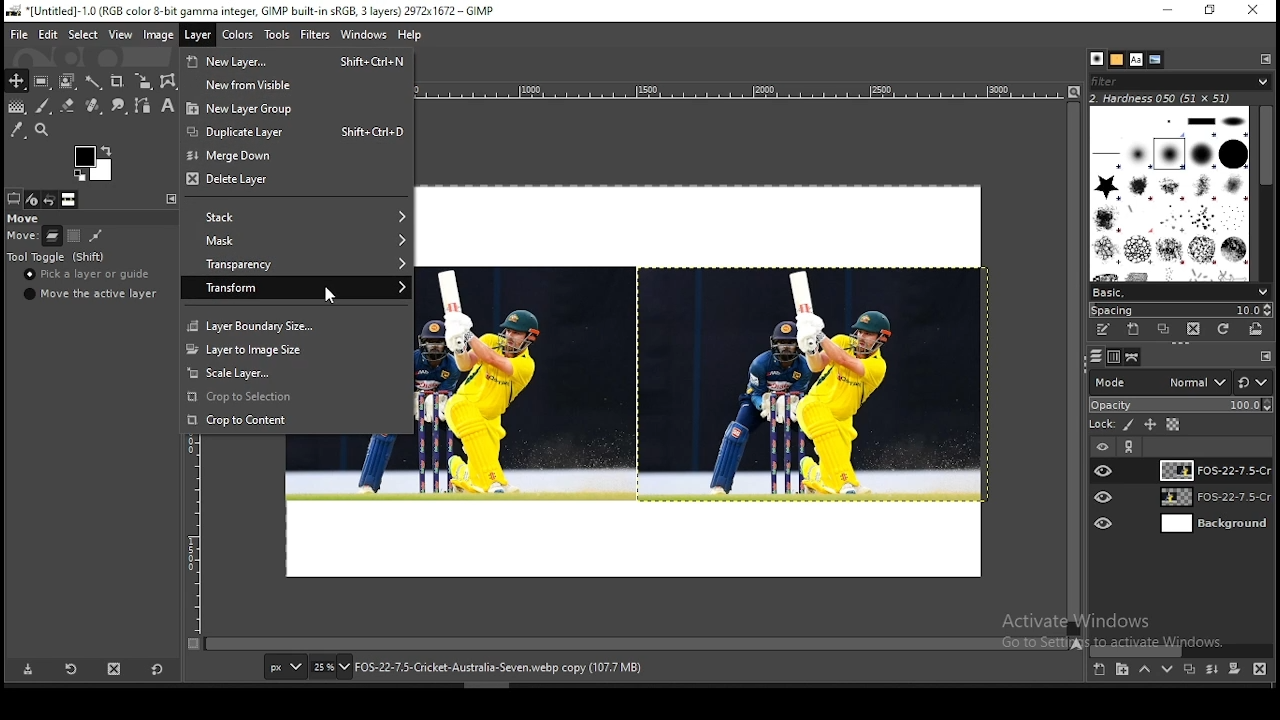 The height and width of the screenshot is (720, 1280). What do you see at coordinates (196, 36) in the screenshot?
I see `layer` at bounding box center [196, 36].